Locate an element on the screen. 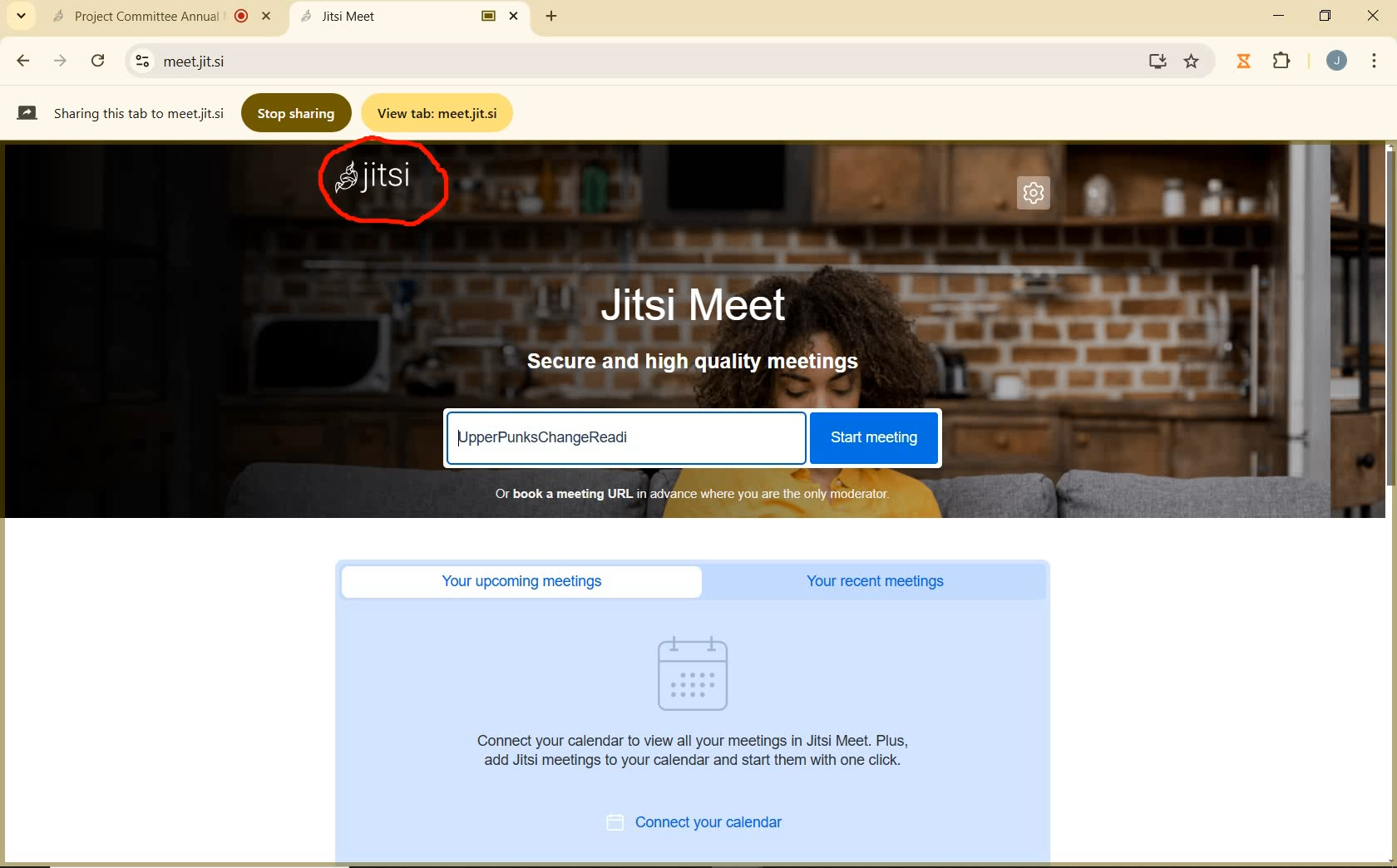  cursor is located at coordinates (866, 645).